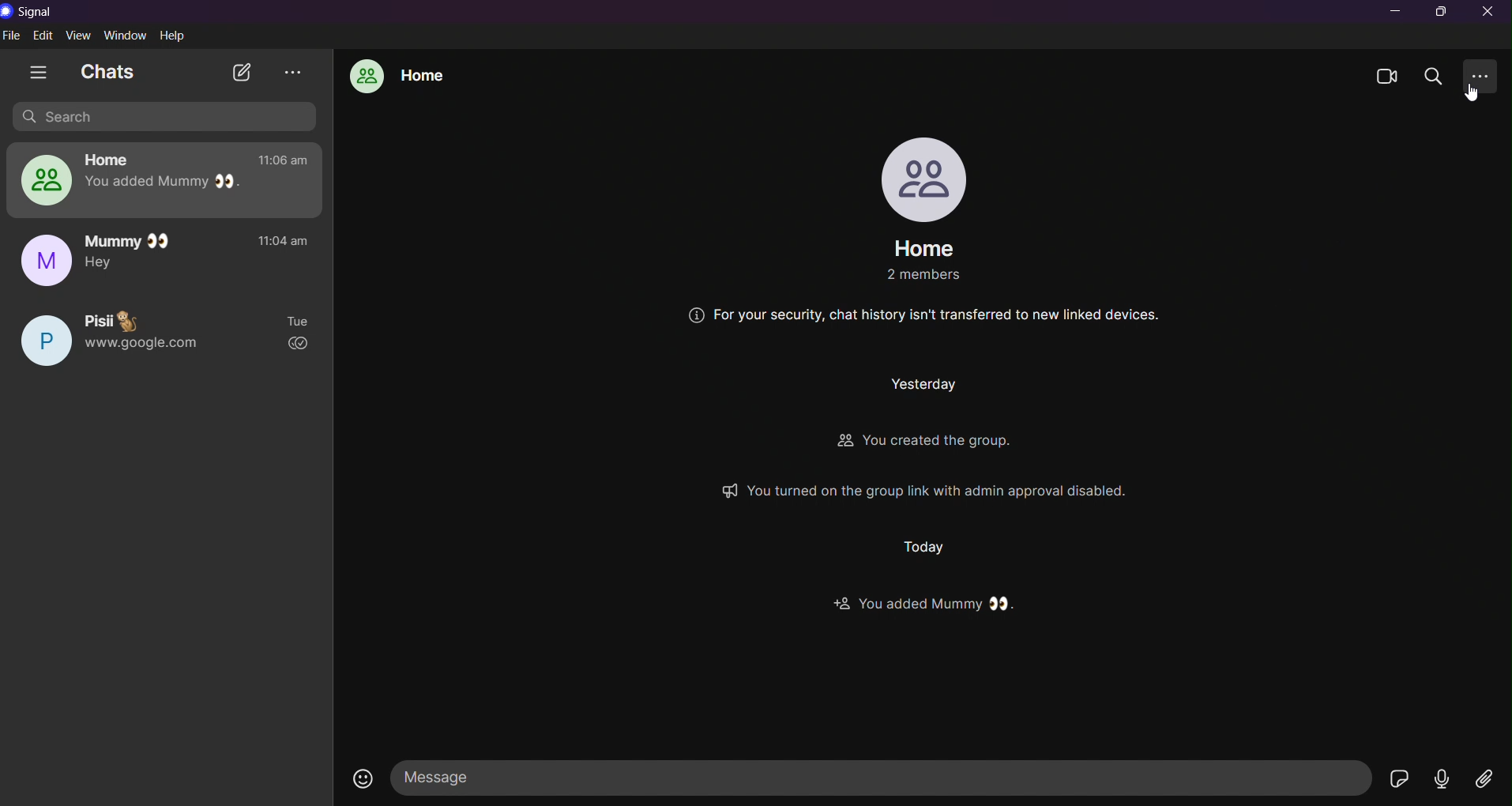 The width and height of the screenshot is (1512, 806). Describe the element at coordinates (361, 780) in the screenshot. I see `emojis` at that location.